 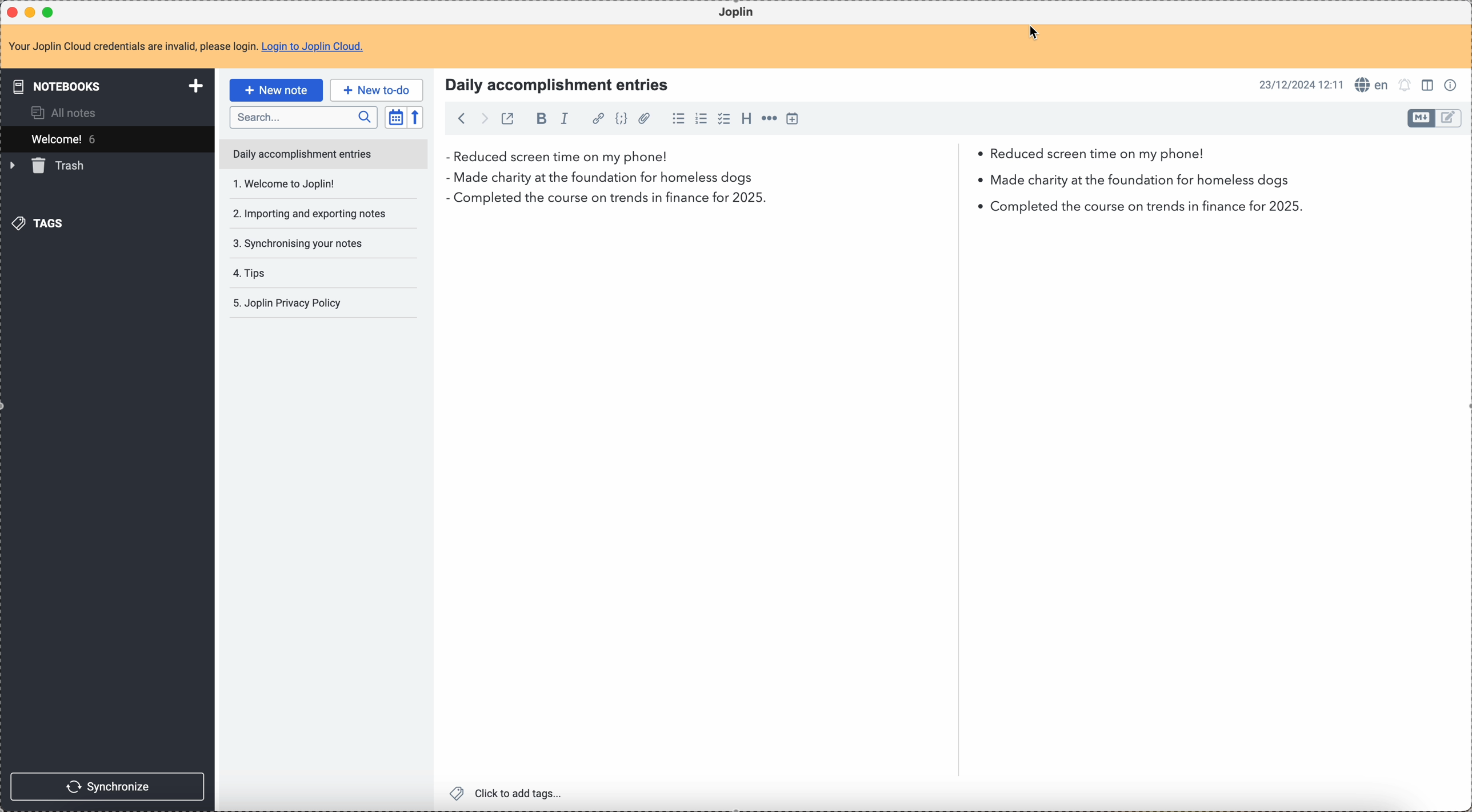 I want to click on hyperlink, so click(x=598, y=119).